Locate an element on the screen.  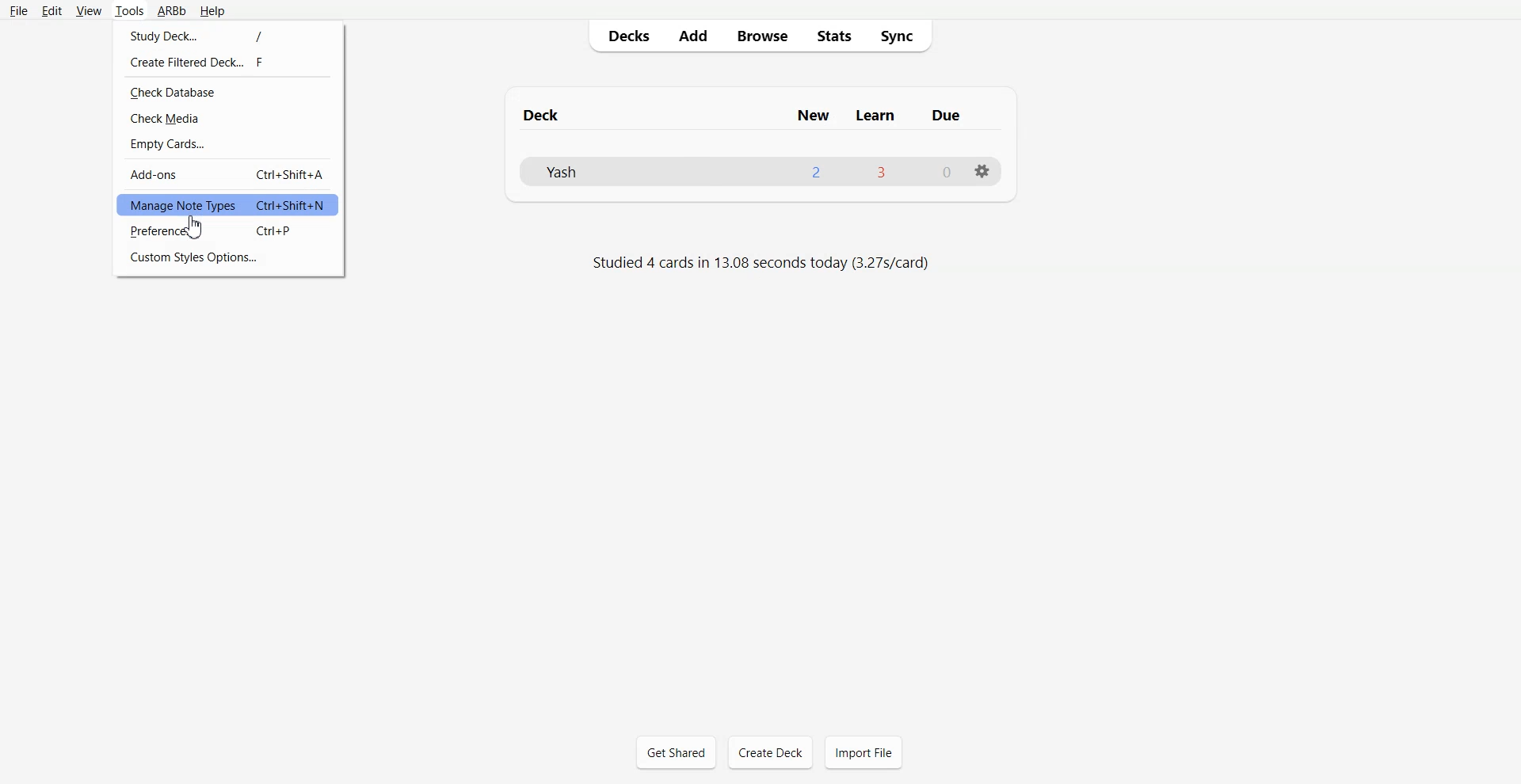
Browse is located at coordinates (761, 35).